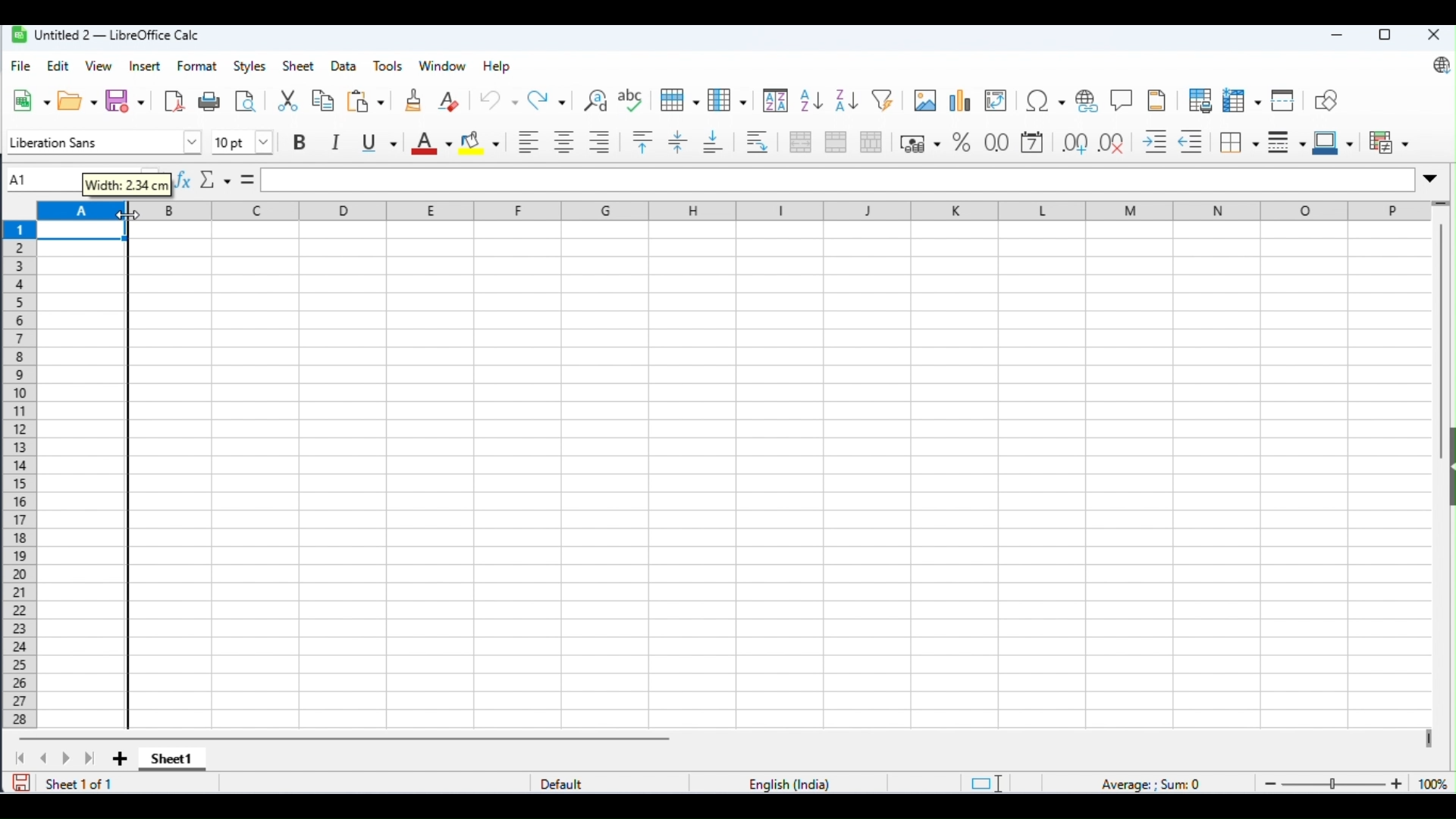 This screenshot has height=819, width=1456. Describe the element at coordinates (345, 67) in the screenshot. I see `data` at that location.